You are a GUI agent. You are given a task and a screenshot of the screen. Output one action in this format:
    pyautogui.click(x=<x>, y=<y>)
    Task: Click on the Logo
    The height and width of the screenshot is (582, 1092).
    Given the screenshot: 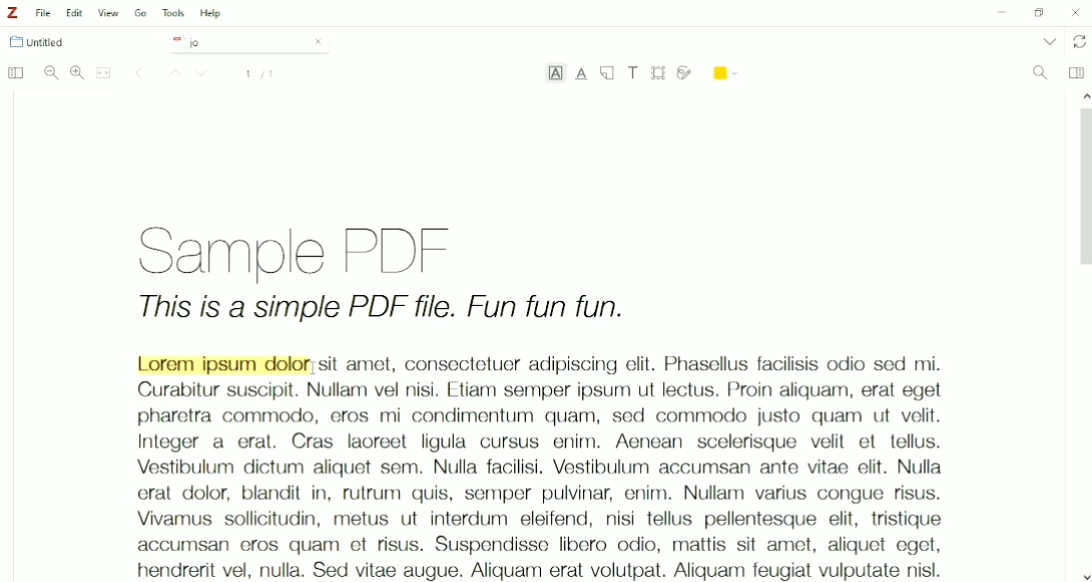 What is the action you would take?
    pyautogui.click(x=12, y=13)
    